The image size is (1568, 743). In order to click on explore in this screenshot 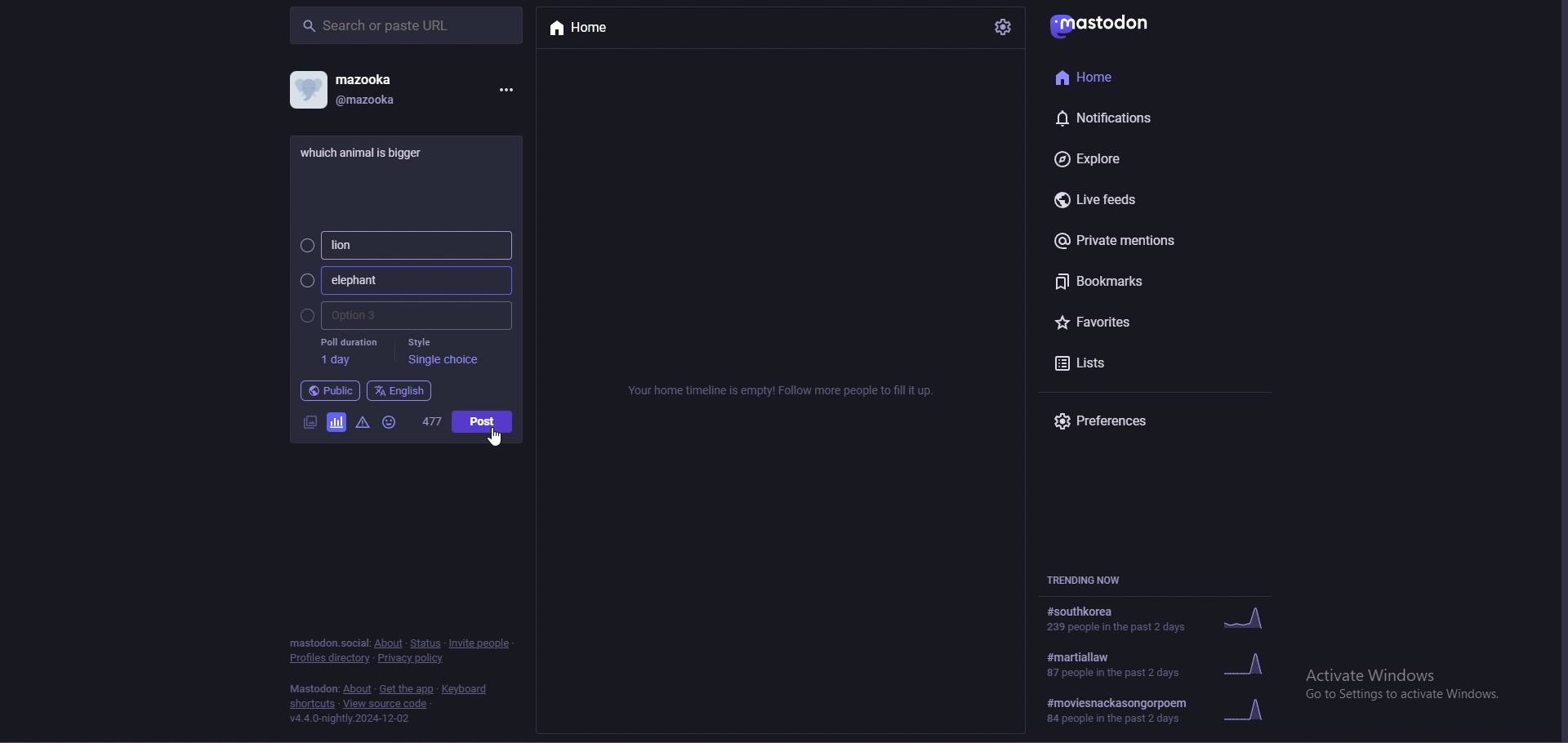, I will do `click(1111, 158)`.